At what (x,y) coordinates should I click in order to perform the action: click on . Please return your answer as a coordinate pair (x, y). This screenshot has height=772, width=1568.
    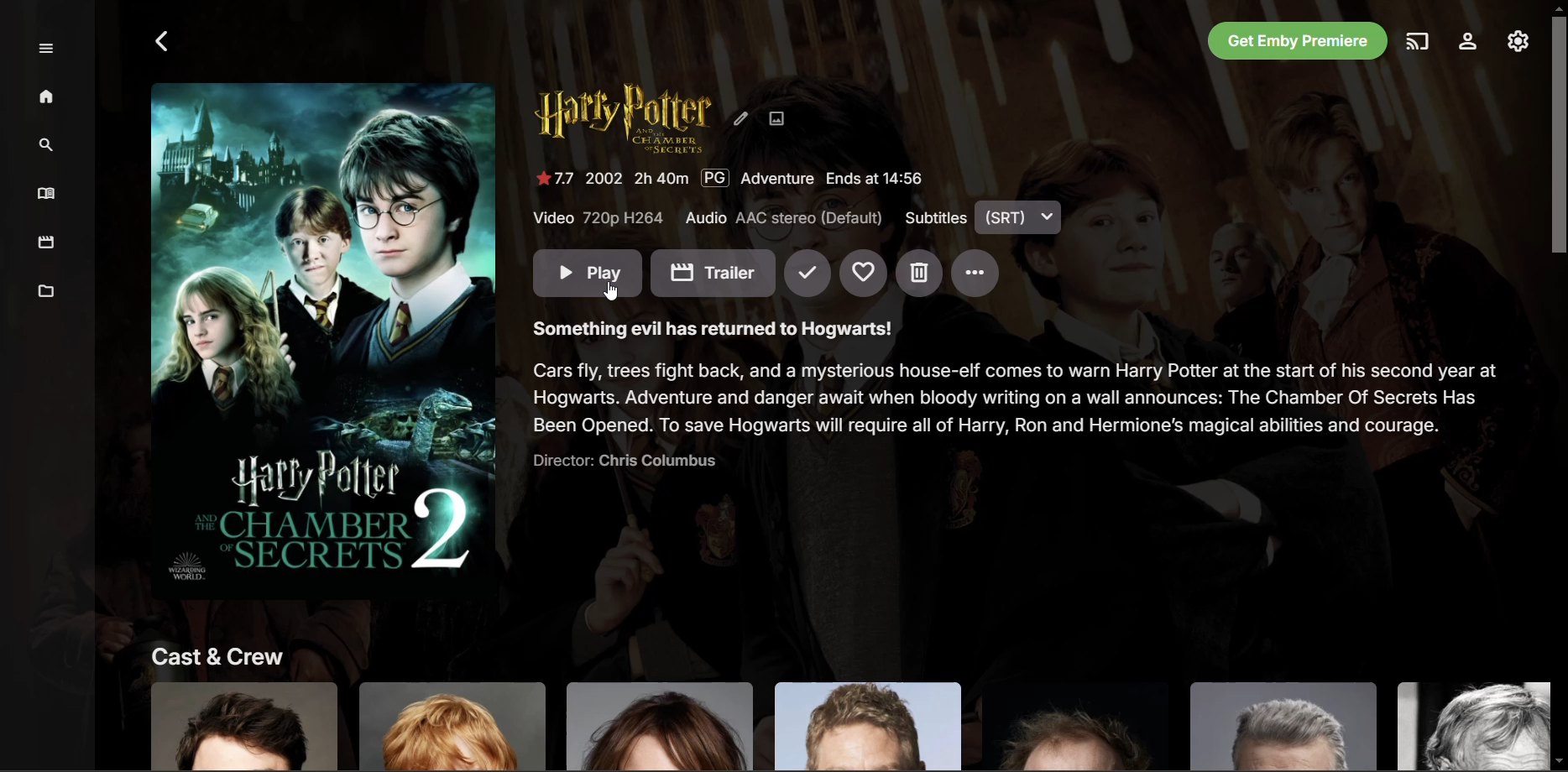
    Looking at the image, I should click on (618, 462).